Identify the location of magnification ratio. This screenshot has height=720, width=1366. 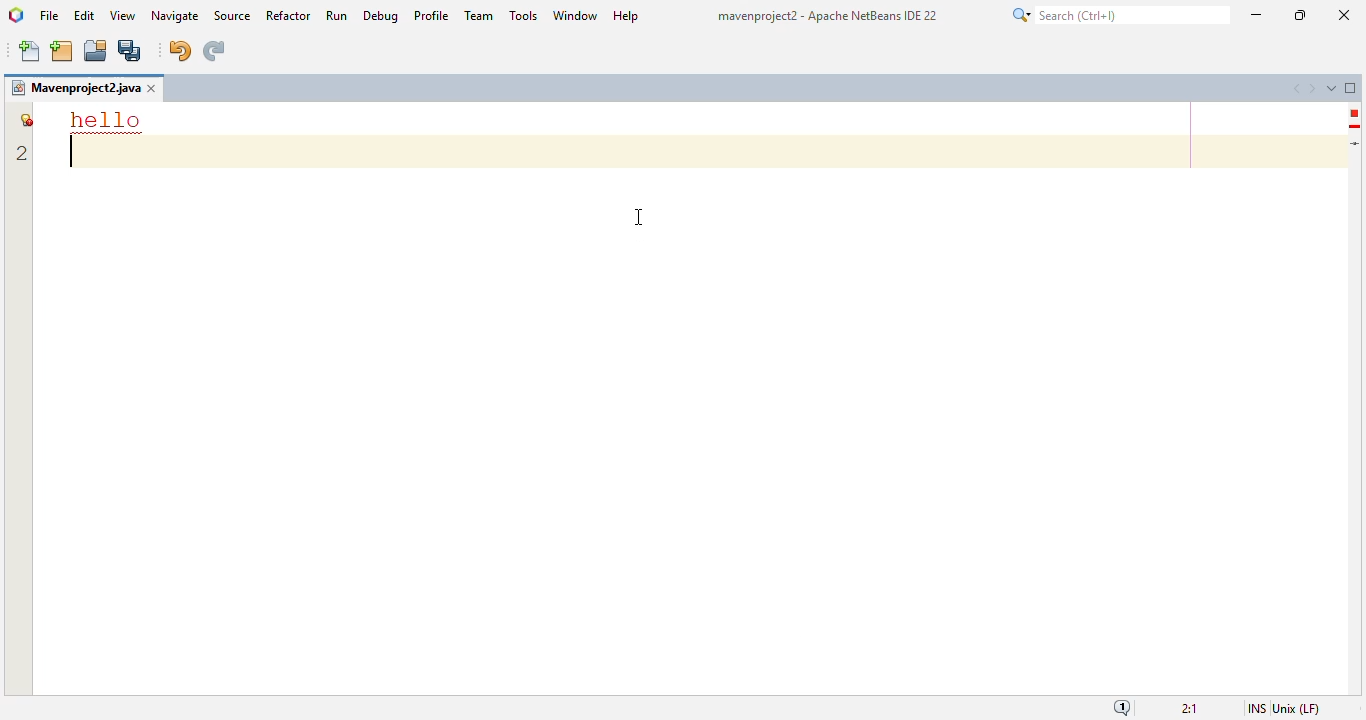
(1188, 707).